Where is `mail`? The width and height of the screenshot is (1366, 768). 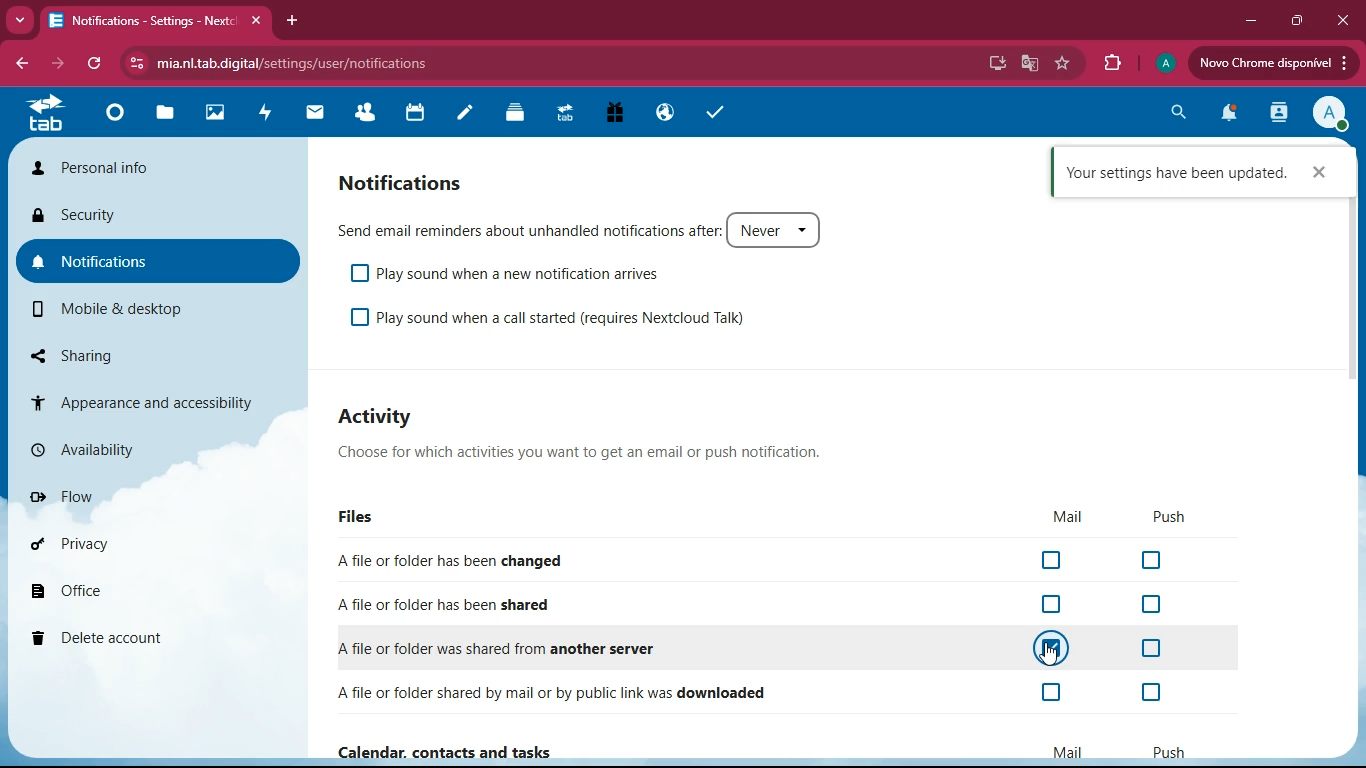
mail is located at coordinates (308, 112).